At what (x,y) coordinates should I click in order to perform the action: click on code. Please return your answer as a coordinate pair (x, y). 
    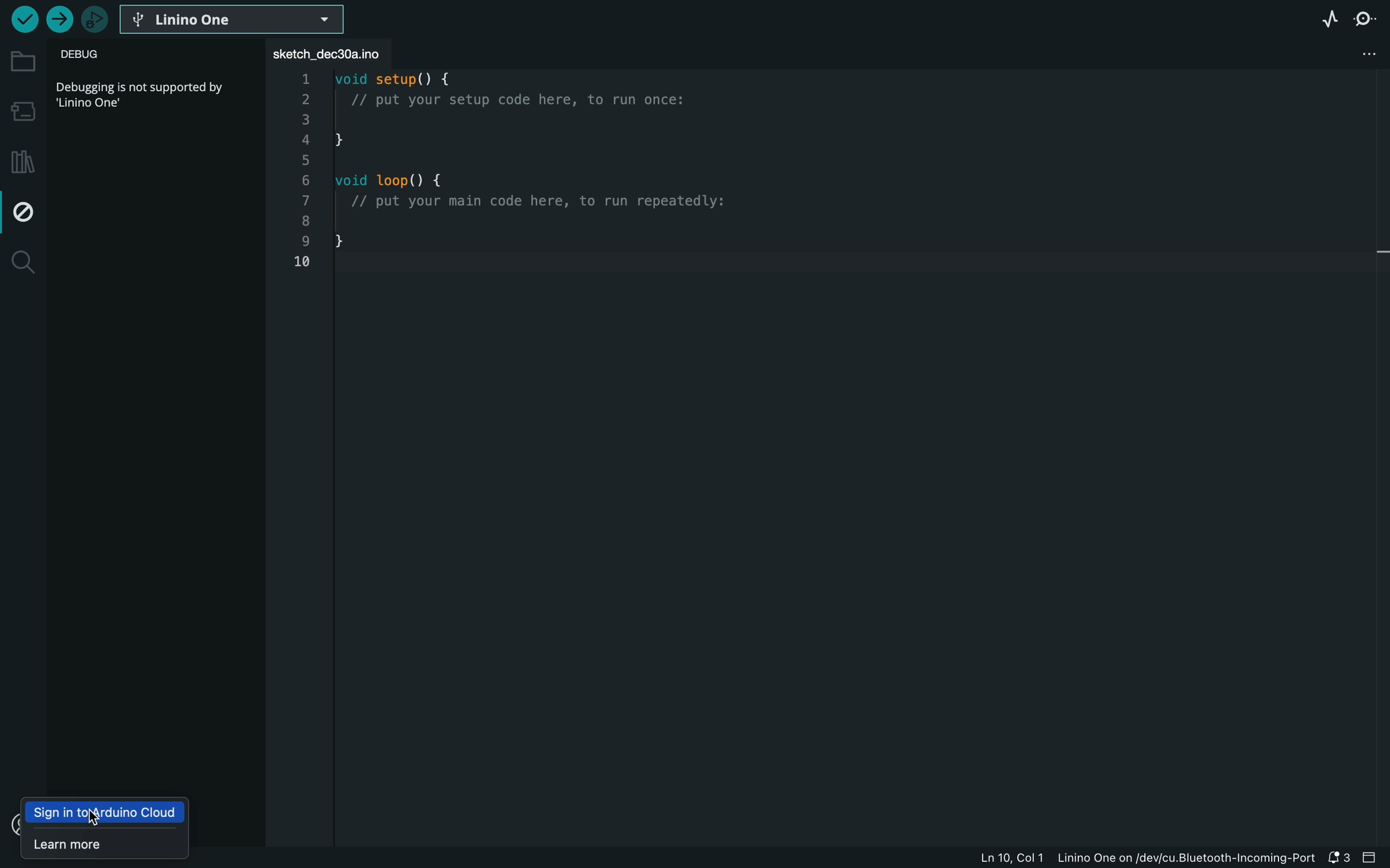
    Looking at the image, I should click on (535, 179).